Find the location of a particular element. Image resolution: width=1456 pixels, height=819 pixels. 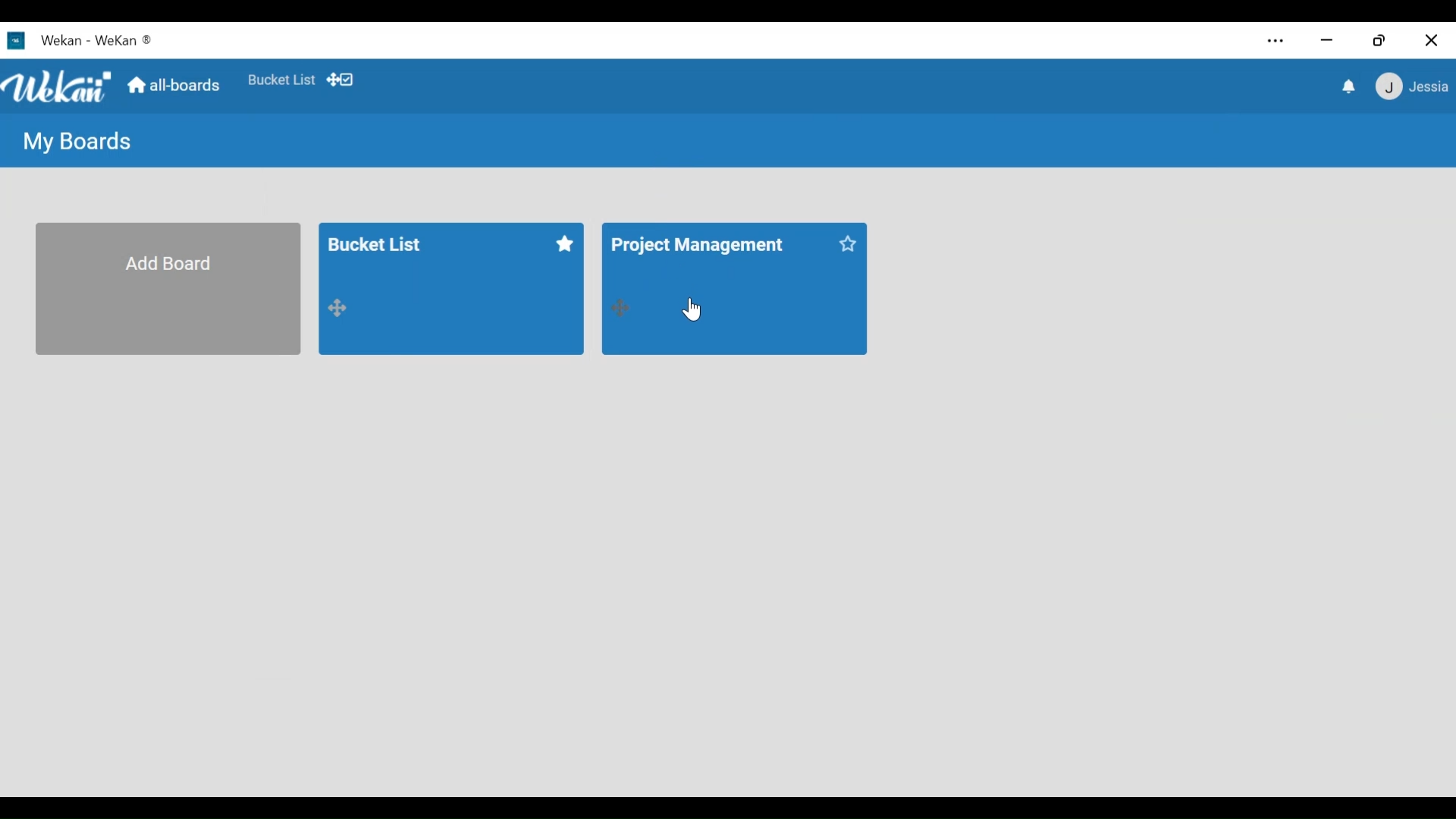

minimize is located at coordinates (1328, 40).